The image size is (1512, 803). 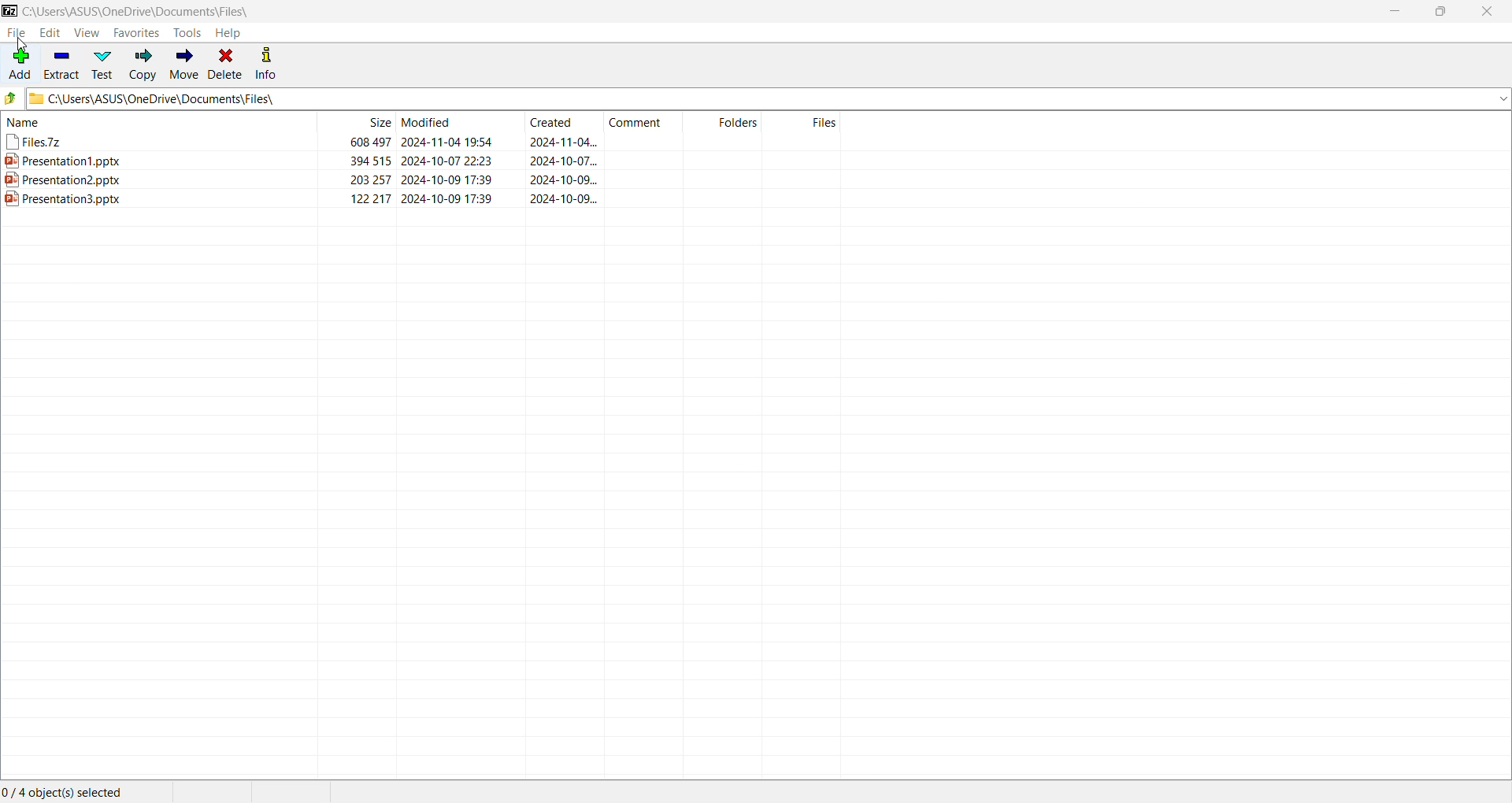 I want to click on Application Name, so click(x=9, y=11).